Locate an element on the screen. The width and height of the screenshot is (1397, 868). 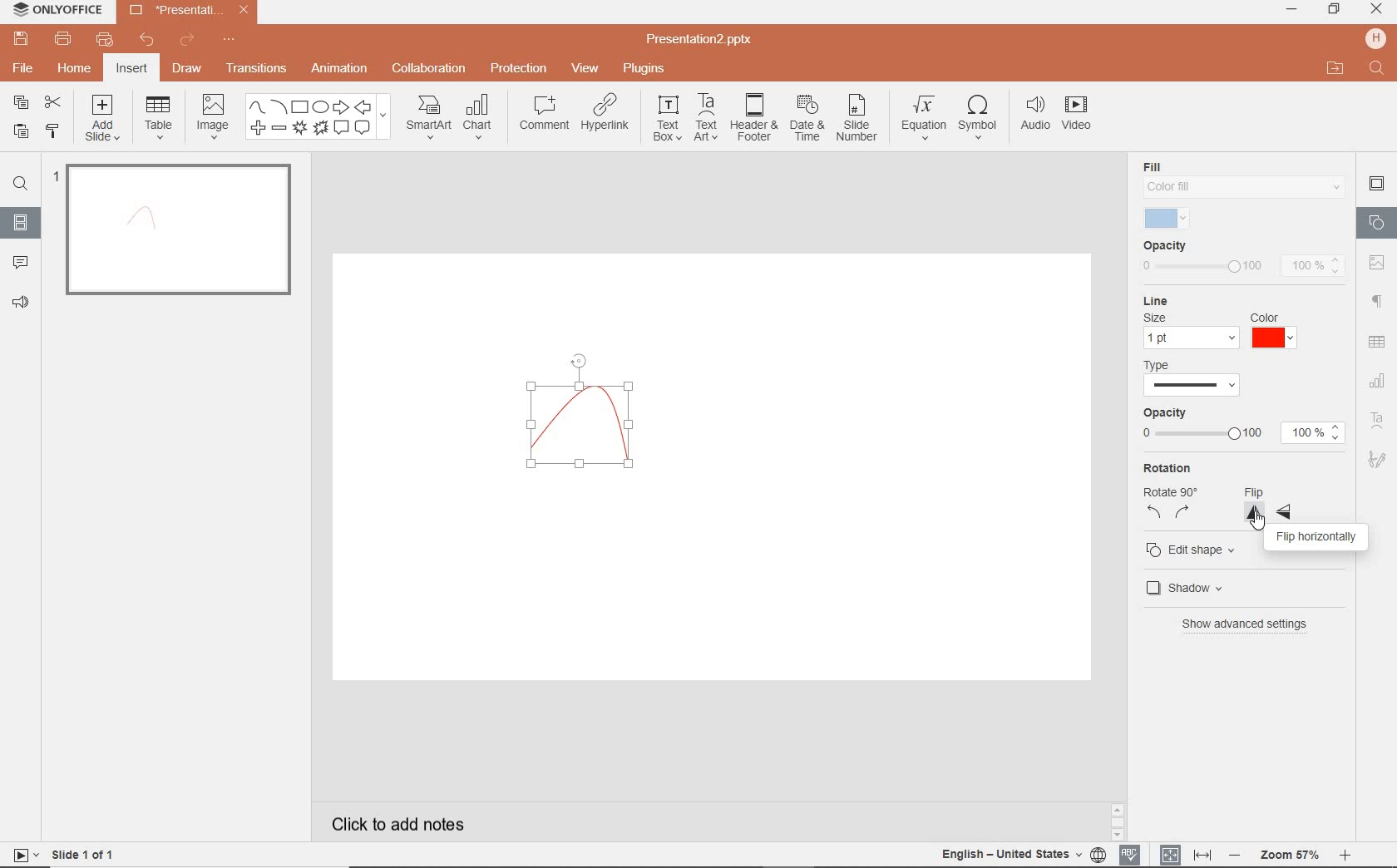
rotation is located at coordinates (1176, 479).